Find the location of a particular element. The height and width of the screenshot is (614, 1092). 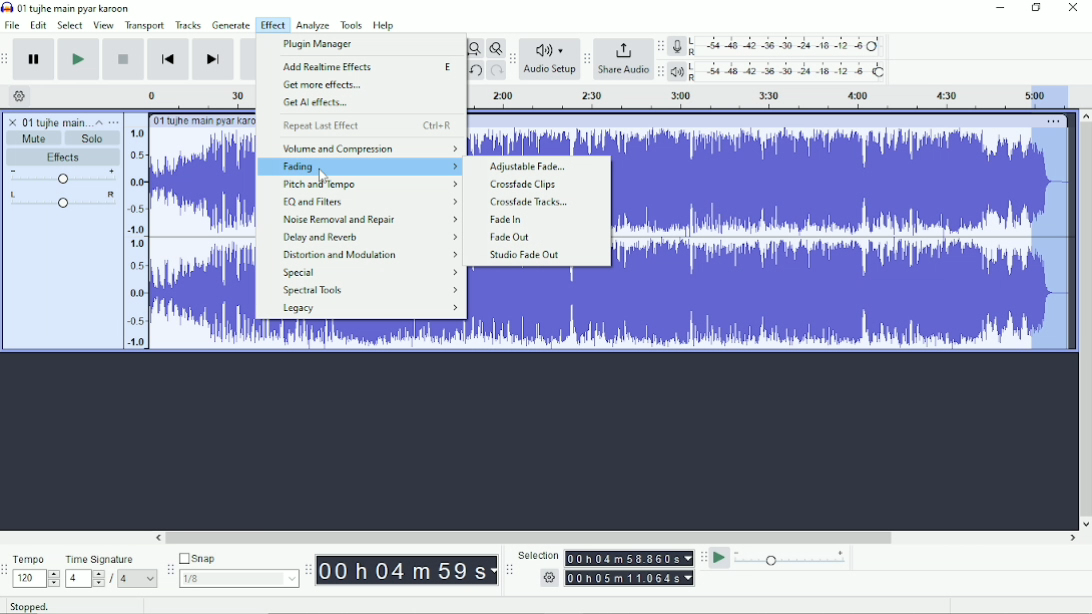

Pan is located at coordinates (60, 200).